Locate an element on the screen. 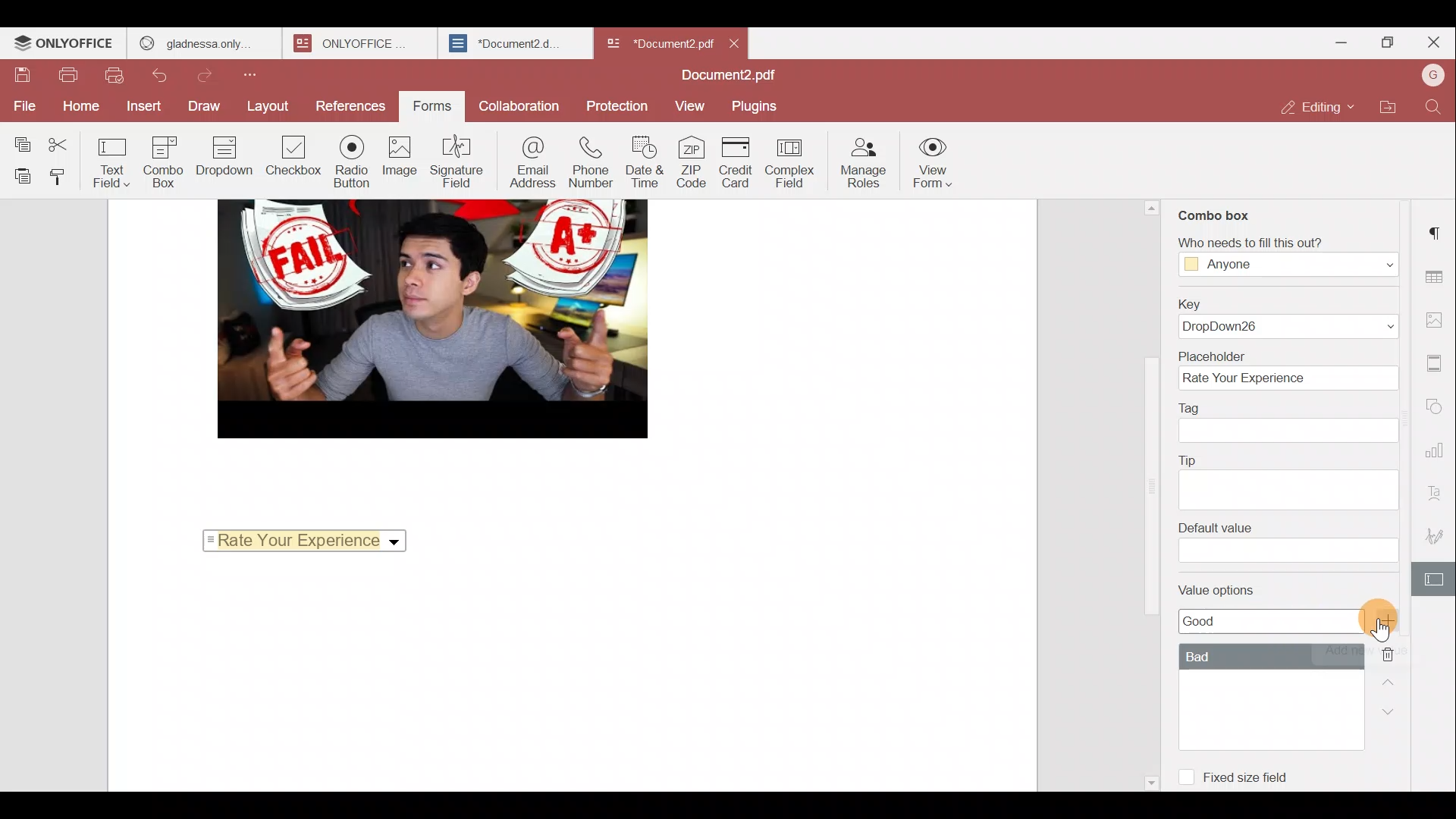 This screenshot has width=1456, height=819. Down is located at coordinates (1395, 718).